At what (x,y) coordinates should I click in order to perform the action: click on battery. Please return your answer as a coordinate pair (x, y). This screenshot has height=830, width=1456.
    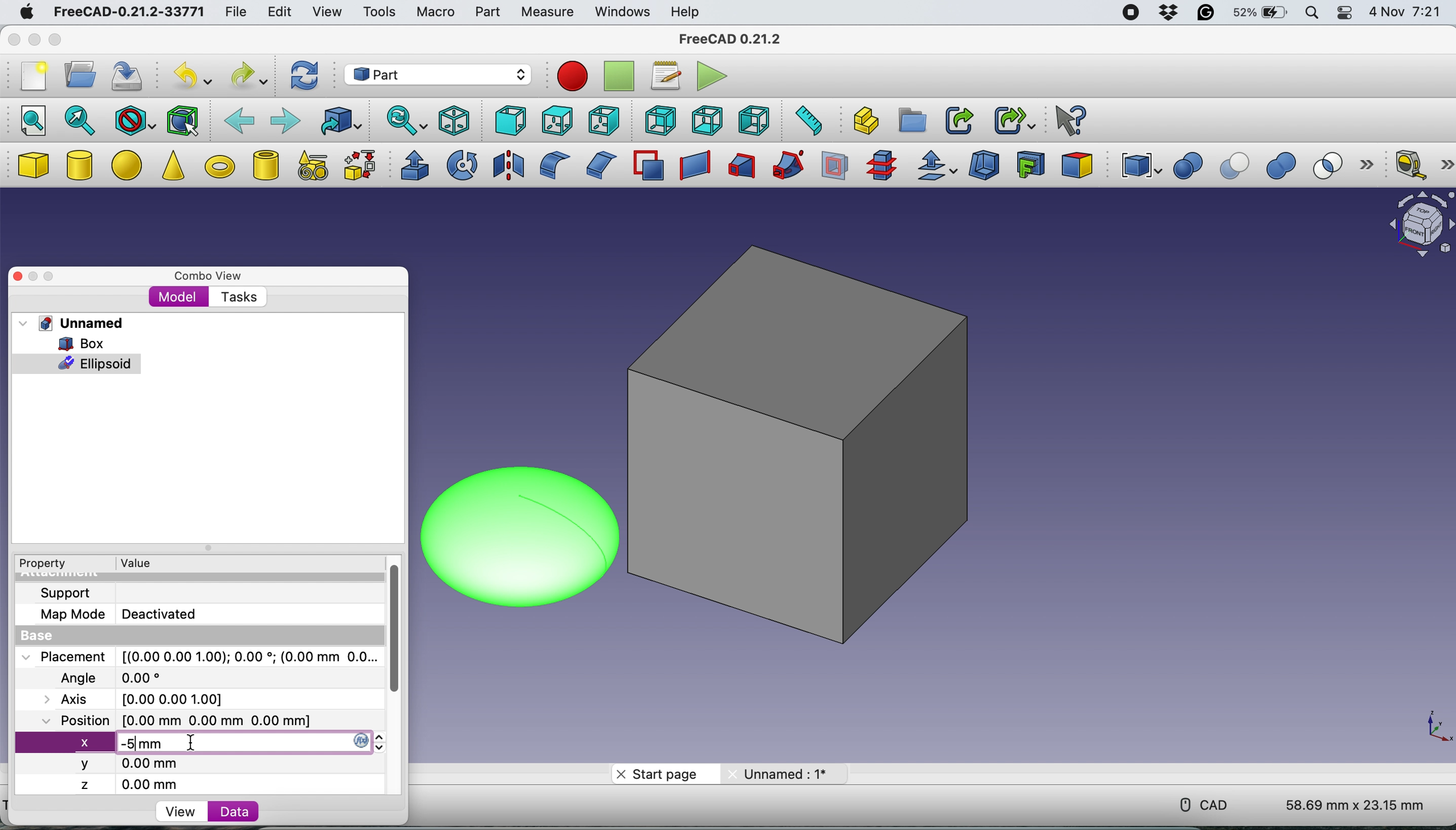
    Looking at the image, I should click on (1258, 14).